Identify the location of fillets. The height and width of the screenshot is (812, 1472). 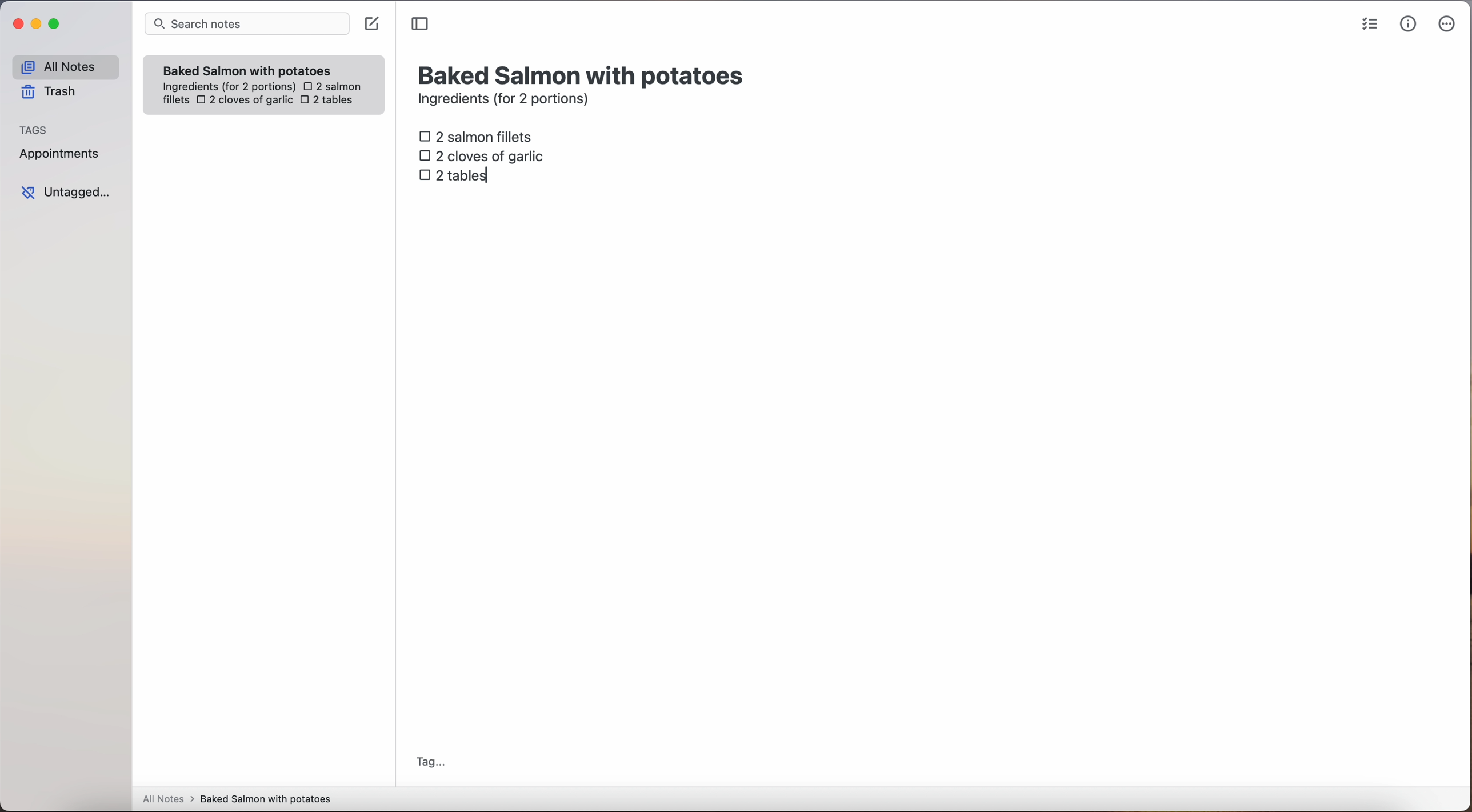
(177, 101).